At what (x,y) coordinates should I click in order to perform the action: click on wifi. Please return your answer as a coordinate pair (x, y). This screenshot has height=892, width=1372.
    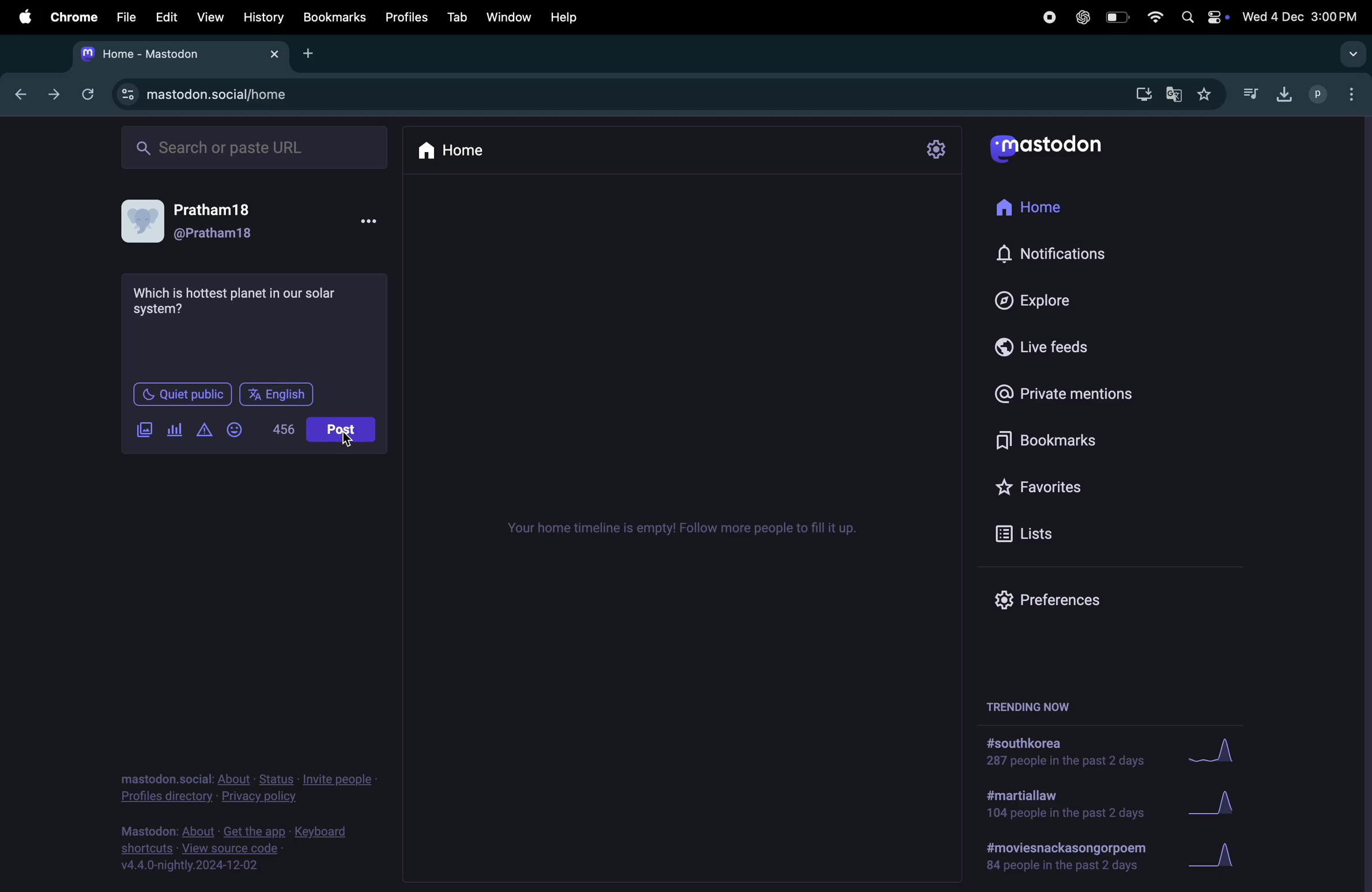
    Looking at the image, I should click on (1153, 18).